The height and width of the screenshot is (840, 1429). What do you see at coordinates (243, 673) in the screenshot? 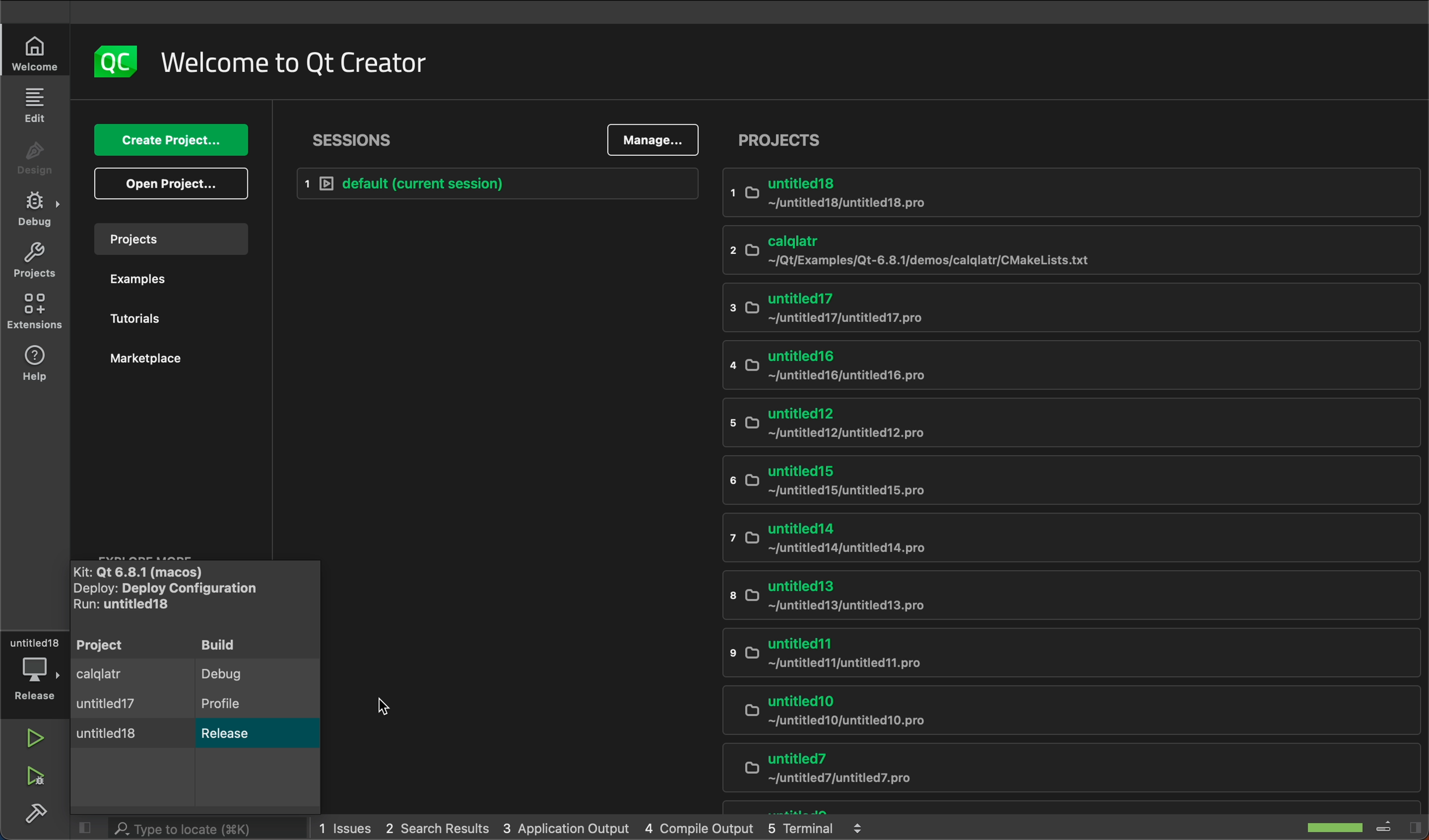
I see `debug` at bounding box center [243, 673].